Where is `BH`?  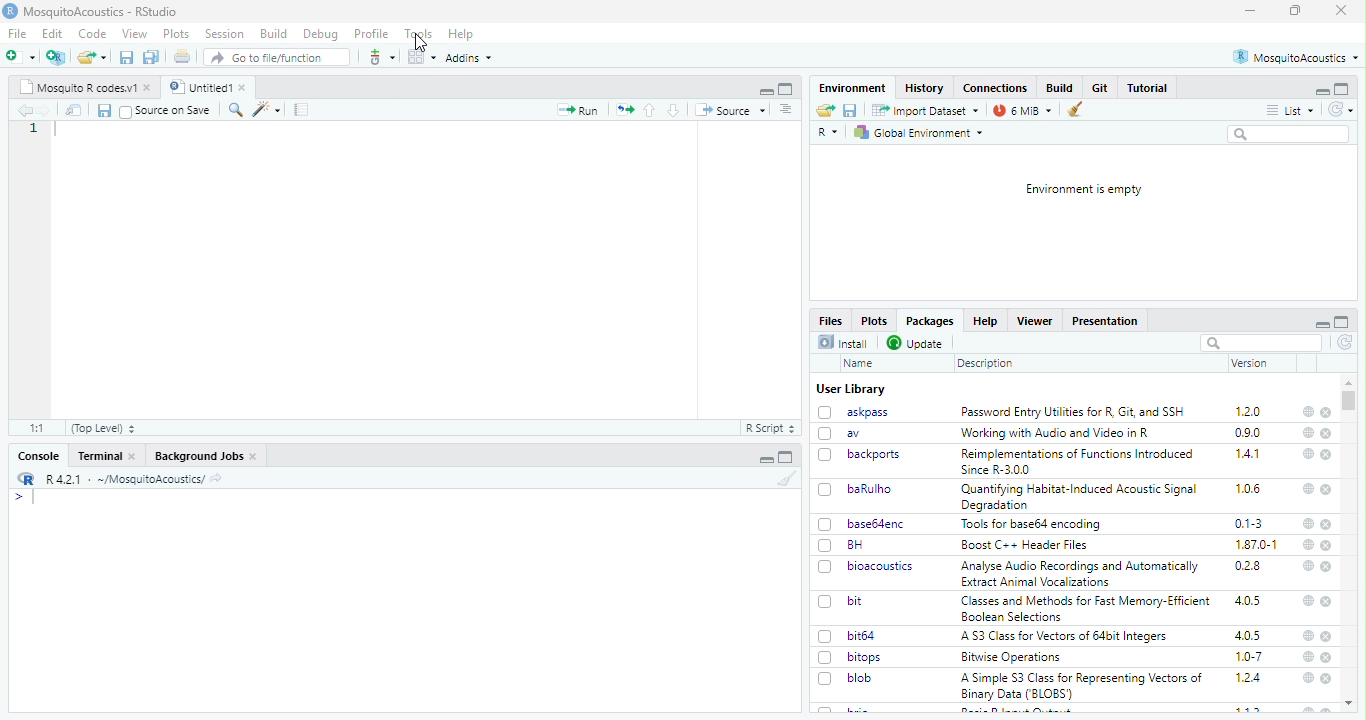
BH is located at coordinates (855, 545).